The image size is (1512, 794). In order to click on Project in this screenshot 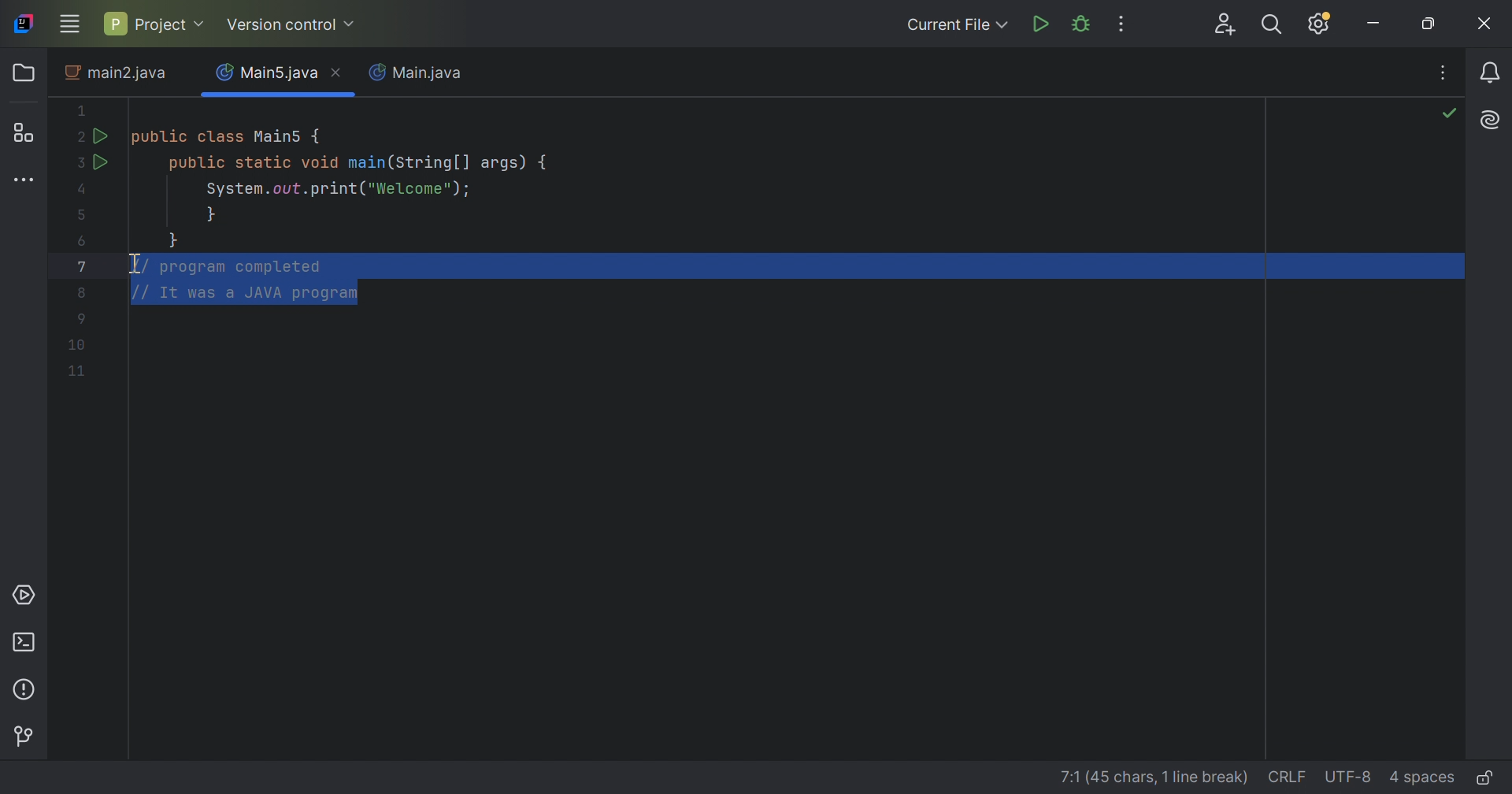, I will do `click(156, 21)`.